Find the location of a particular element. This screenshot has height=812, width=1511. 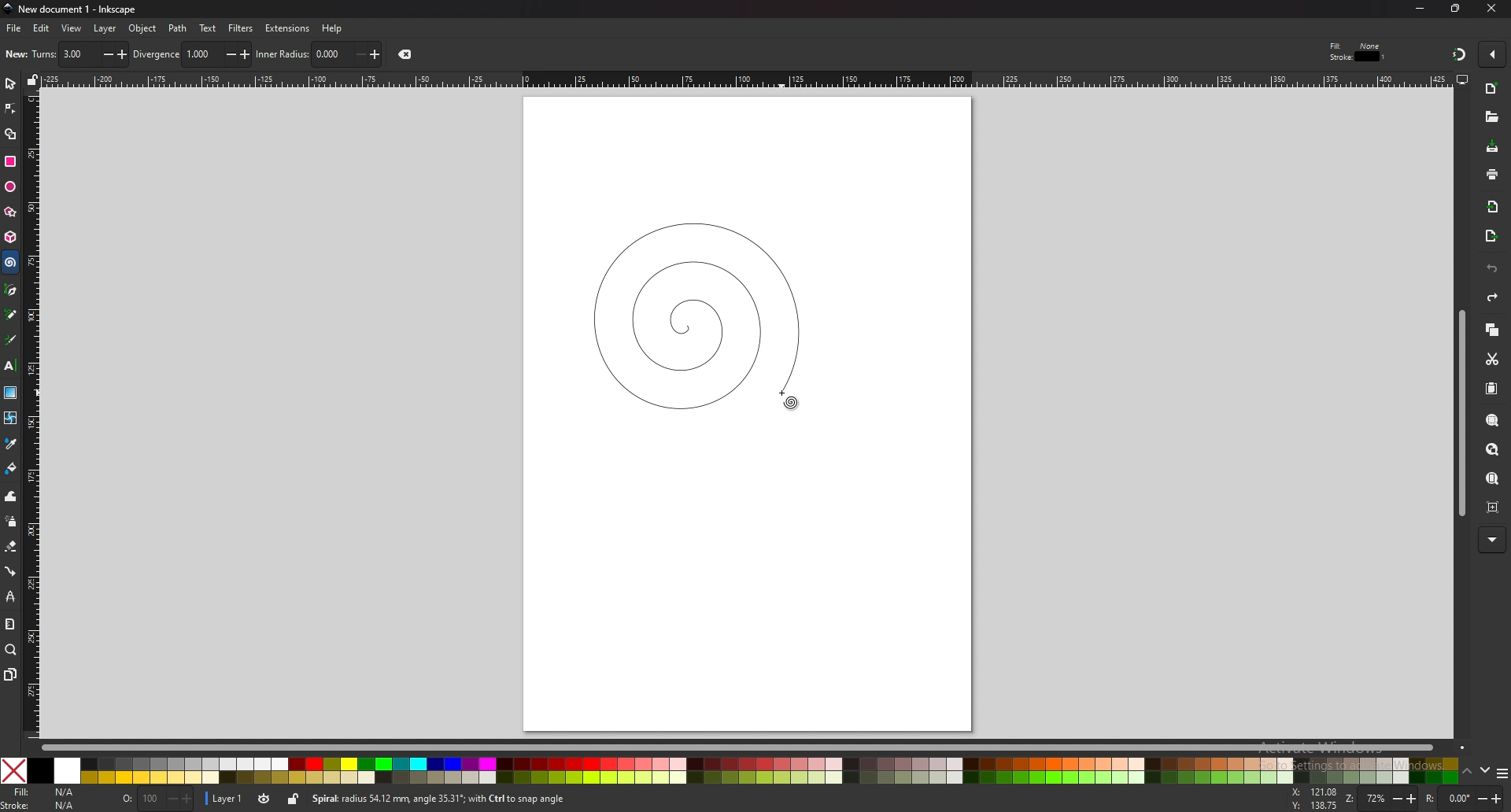

zoom page is located at coordinates (1492, 479).